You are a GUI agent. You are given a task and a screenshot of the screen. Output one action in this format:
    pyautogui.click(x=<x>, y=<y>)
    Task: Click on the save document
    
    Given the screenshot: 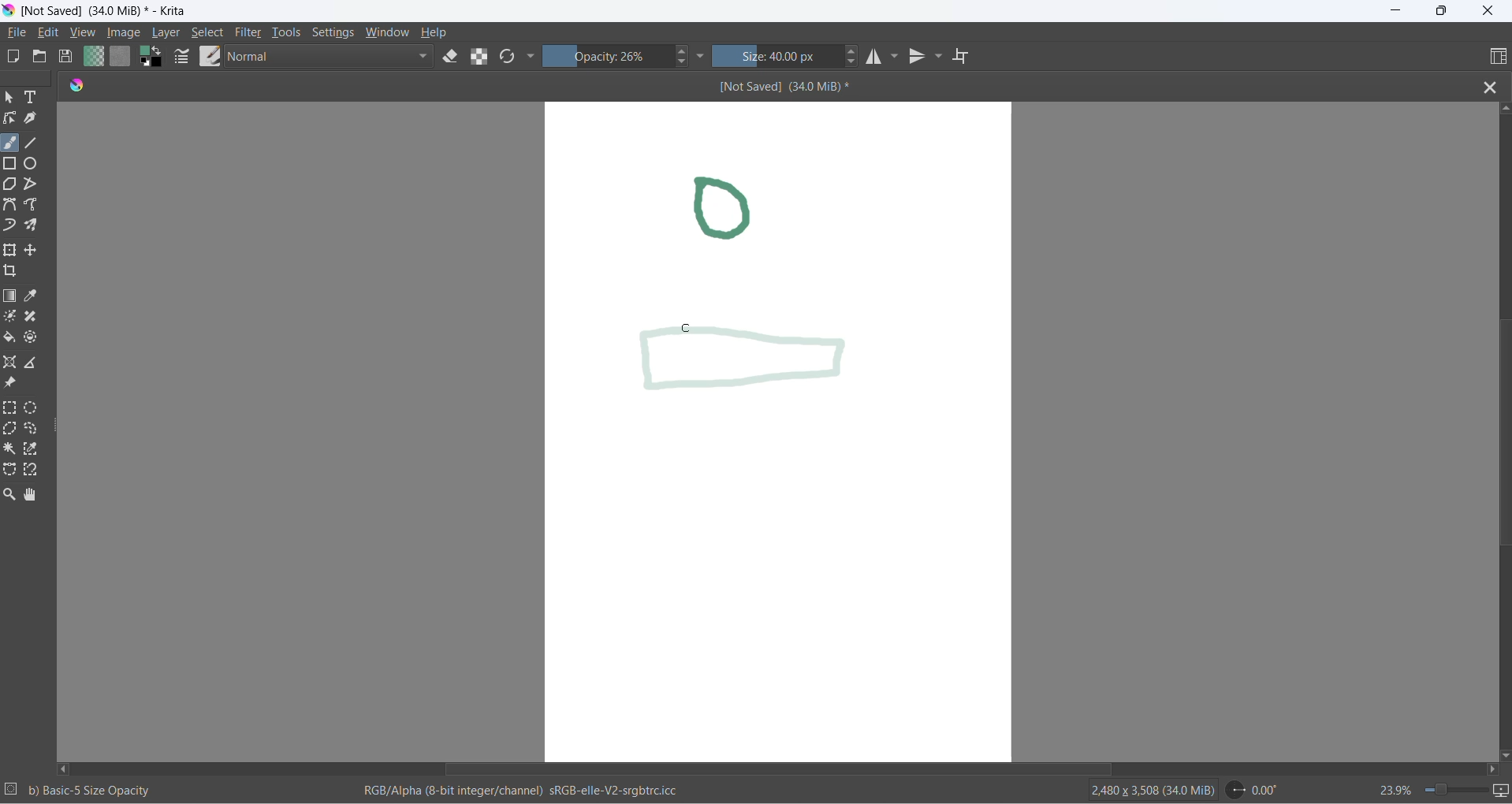 What is the action you would take?
    pyautogui.click(x=68, y=56)
    